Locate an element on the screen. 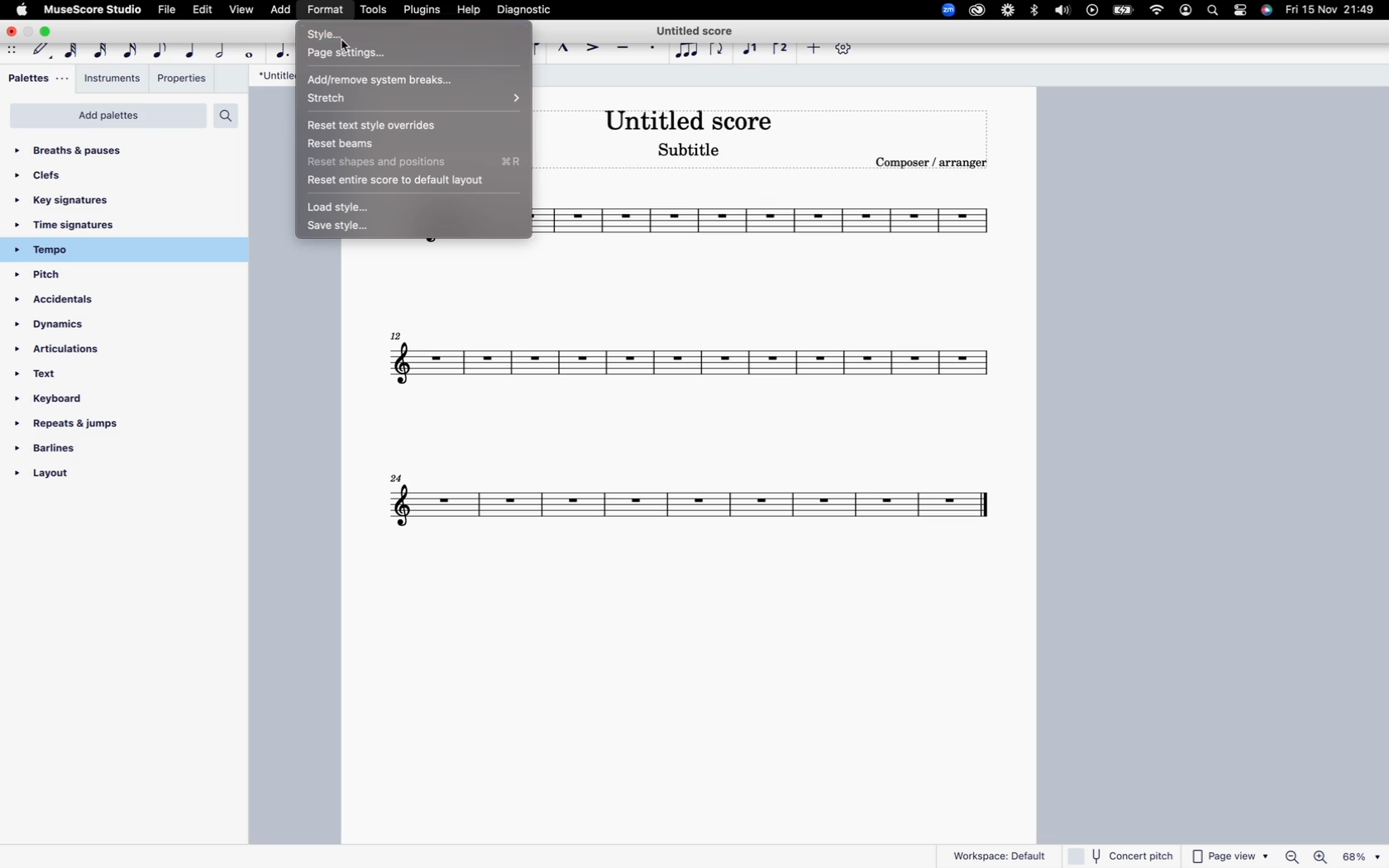 The height and width of the screenshot is (868, 1389). score is located at coordinates (691, 364).